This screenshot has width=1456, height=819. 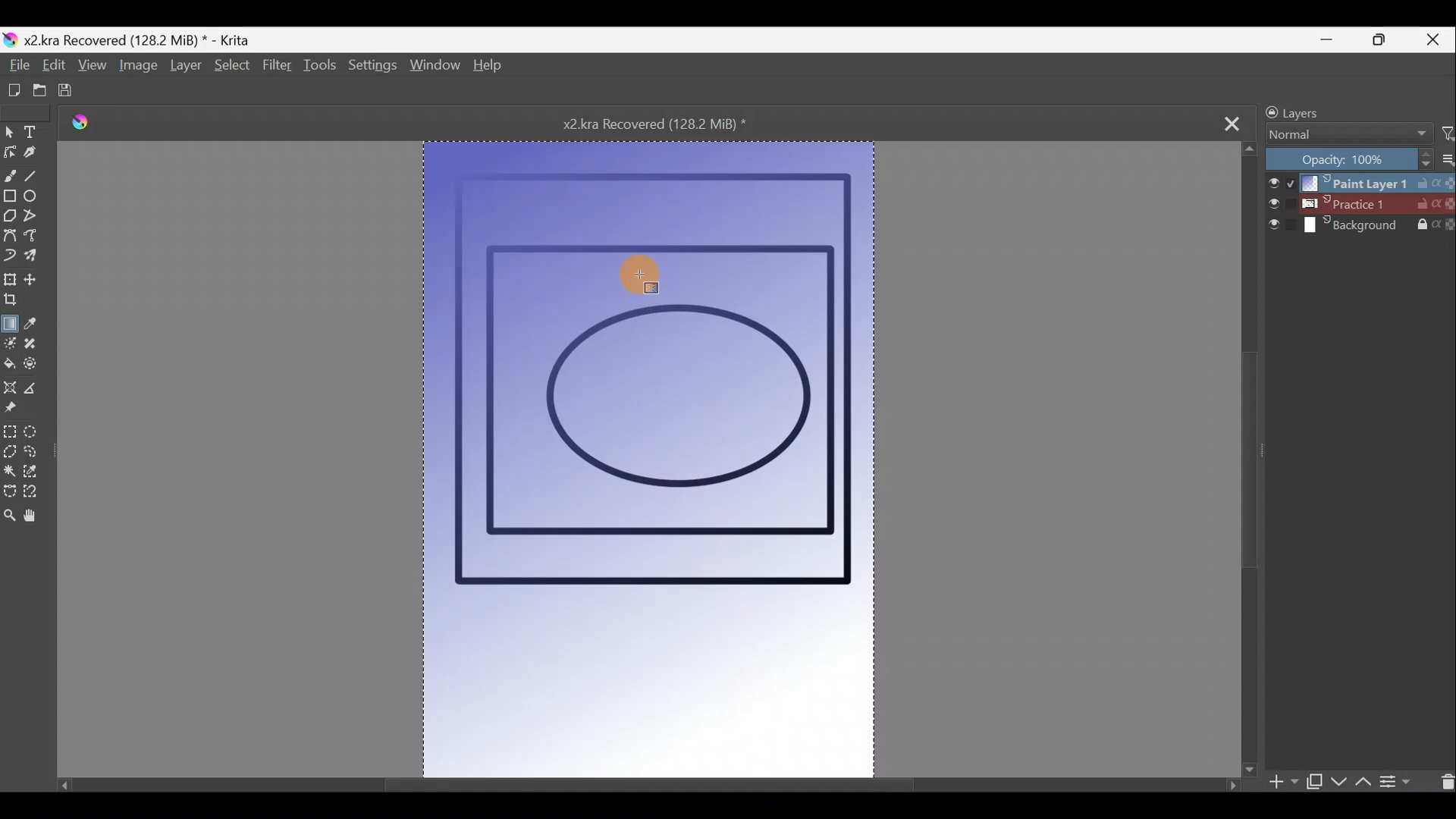 I want to click on Move layer/mask down, so click(x=1337, y=782).